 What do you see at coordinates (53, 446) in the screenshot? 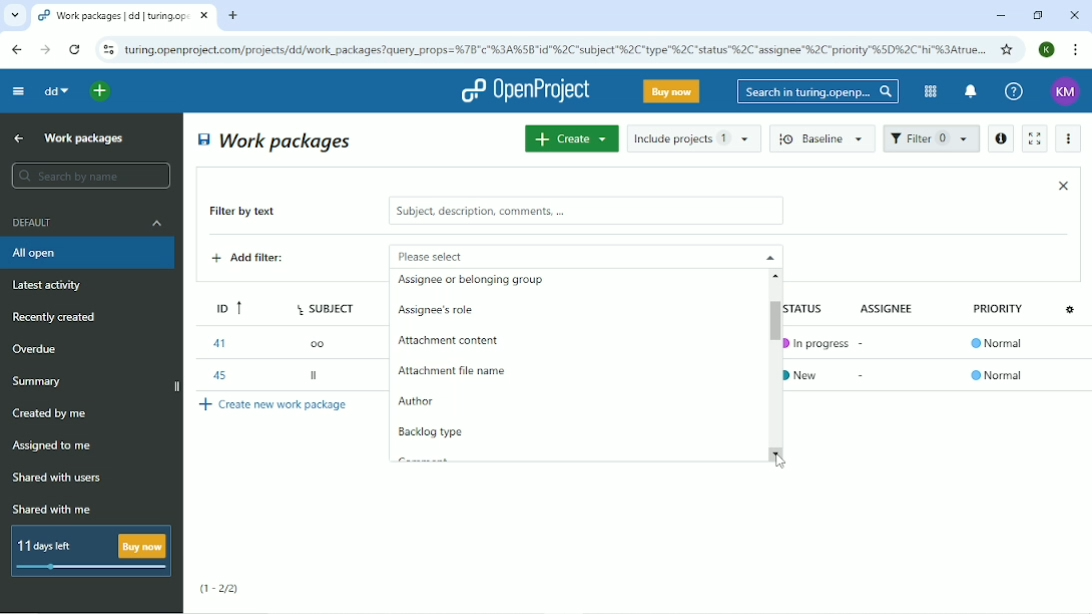
I see `Assigned to me` at bounding box center [53, 446].